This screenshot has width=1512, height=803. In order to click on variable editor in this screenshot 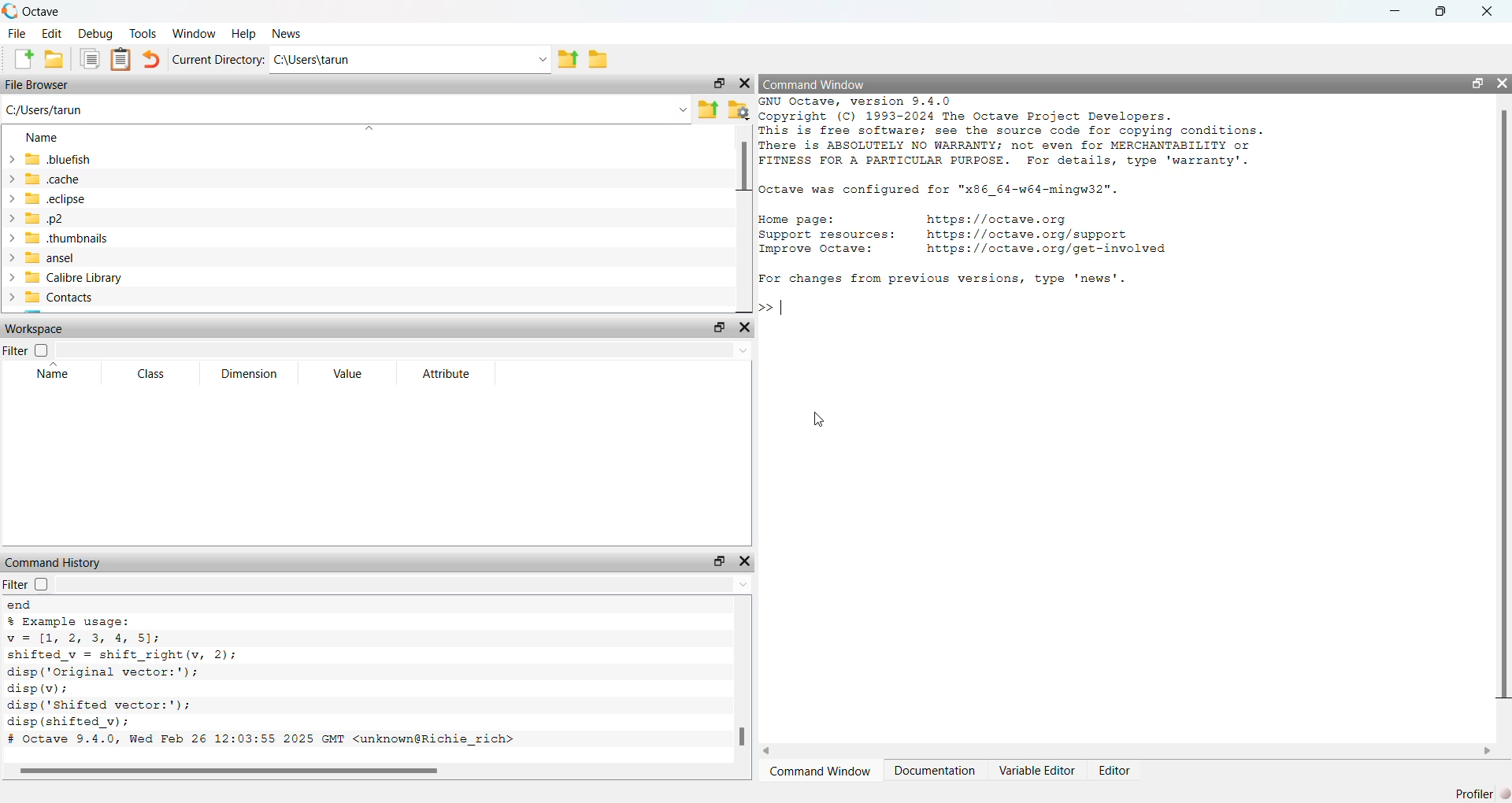, I will do `click(1033, 772)`.